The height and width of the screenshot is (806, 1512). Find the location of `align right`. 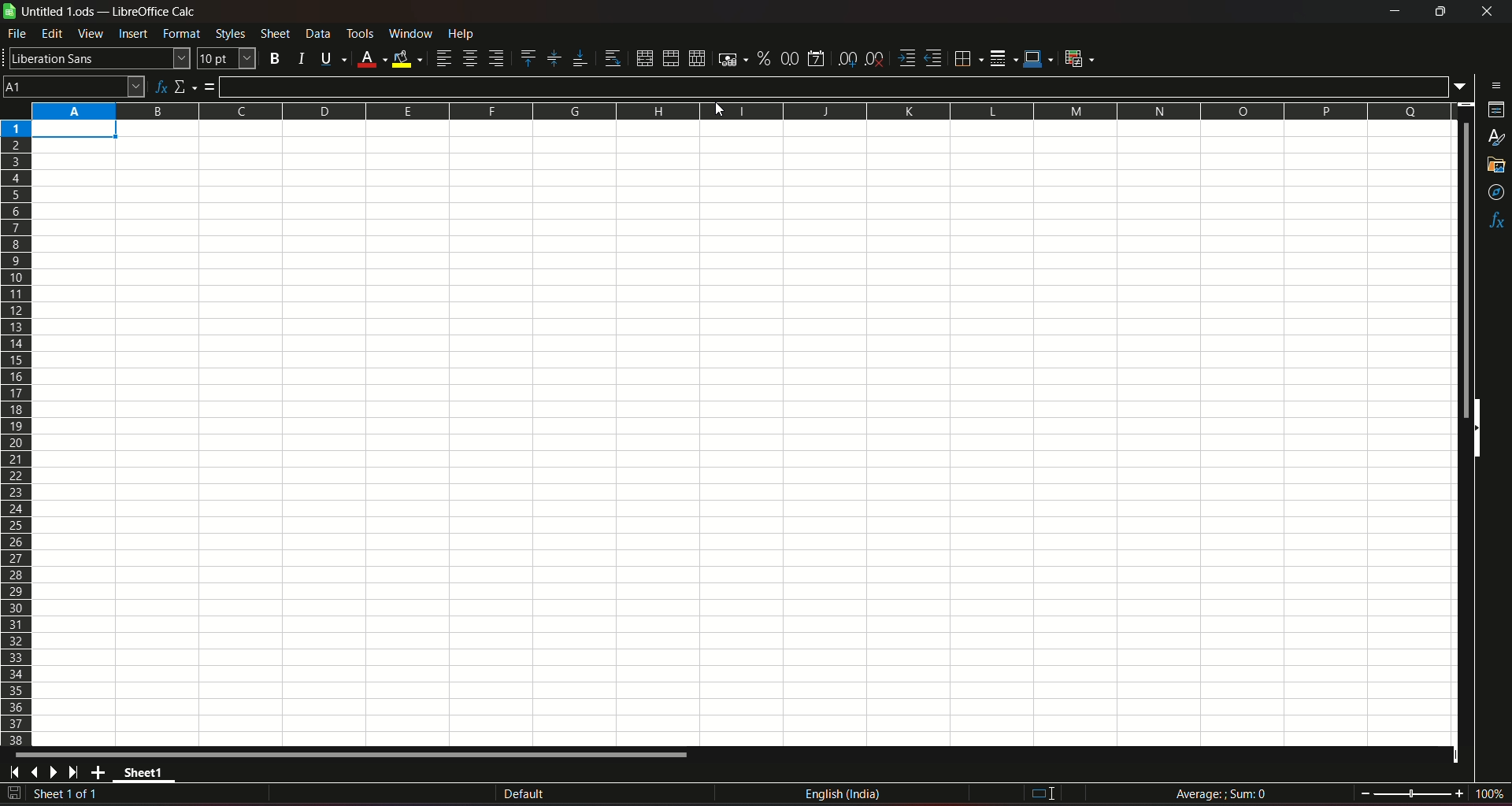

align right is located at coordinates (497, 59).